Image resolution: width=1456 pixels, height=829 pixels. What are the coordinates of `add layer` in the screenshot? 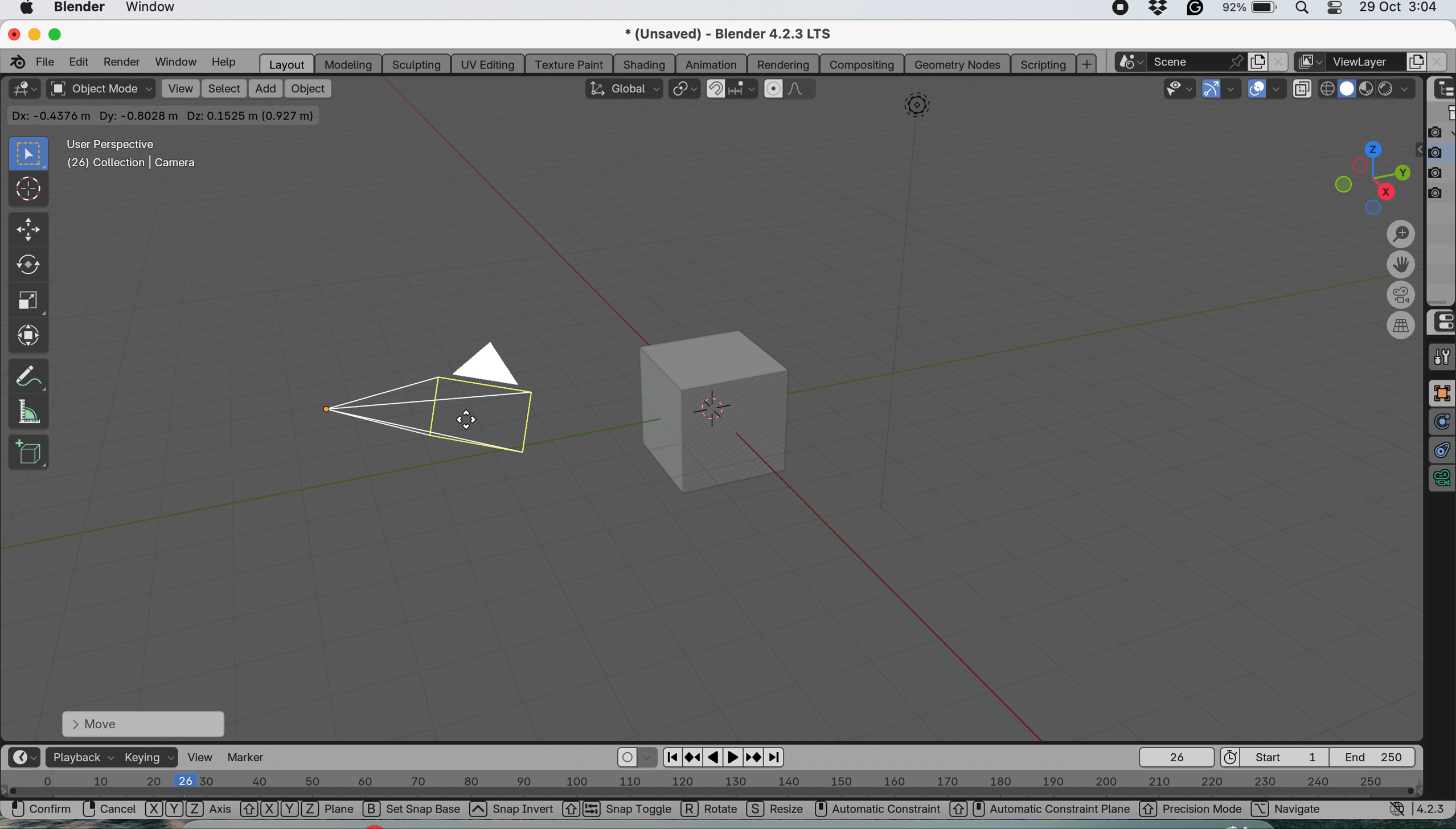 It's located at (1417, 61).